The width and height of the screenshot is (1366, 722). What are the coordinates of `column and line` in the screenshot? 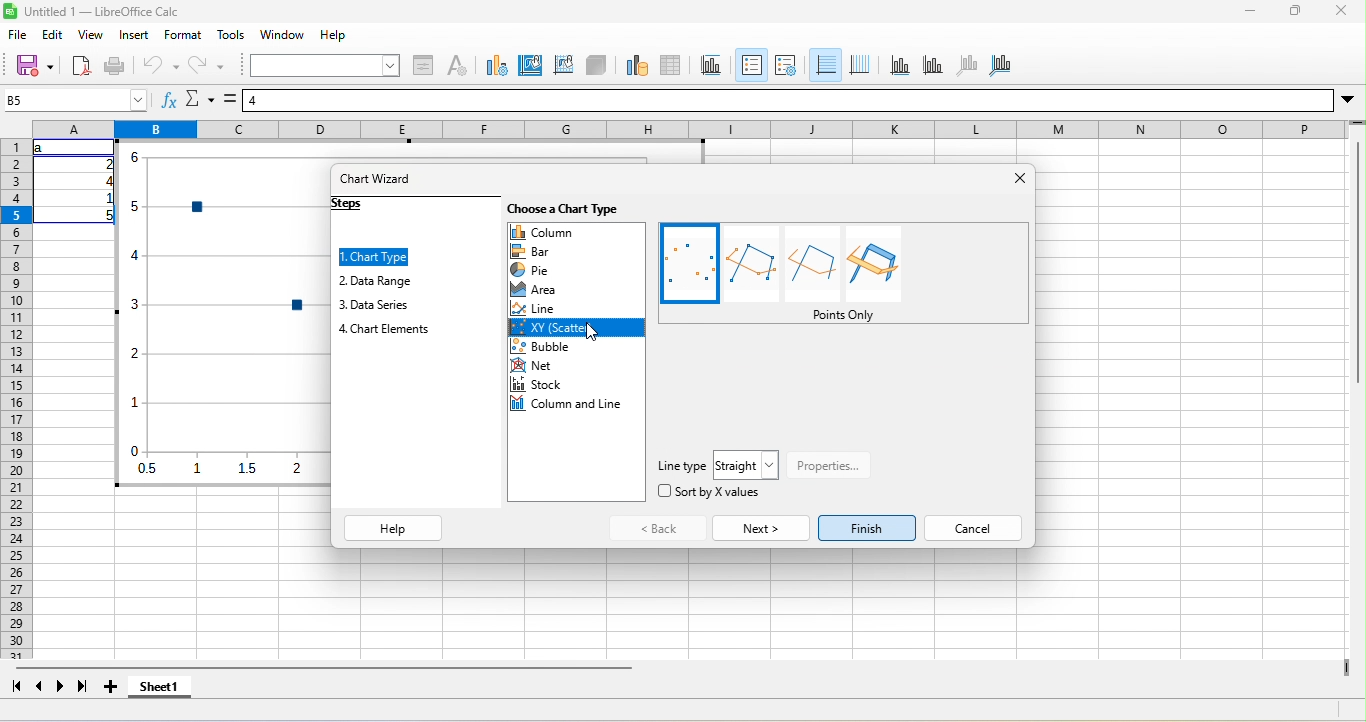 It's located at (577, 403).